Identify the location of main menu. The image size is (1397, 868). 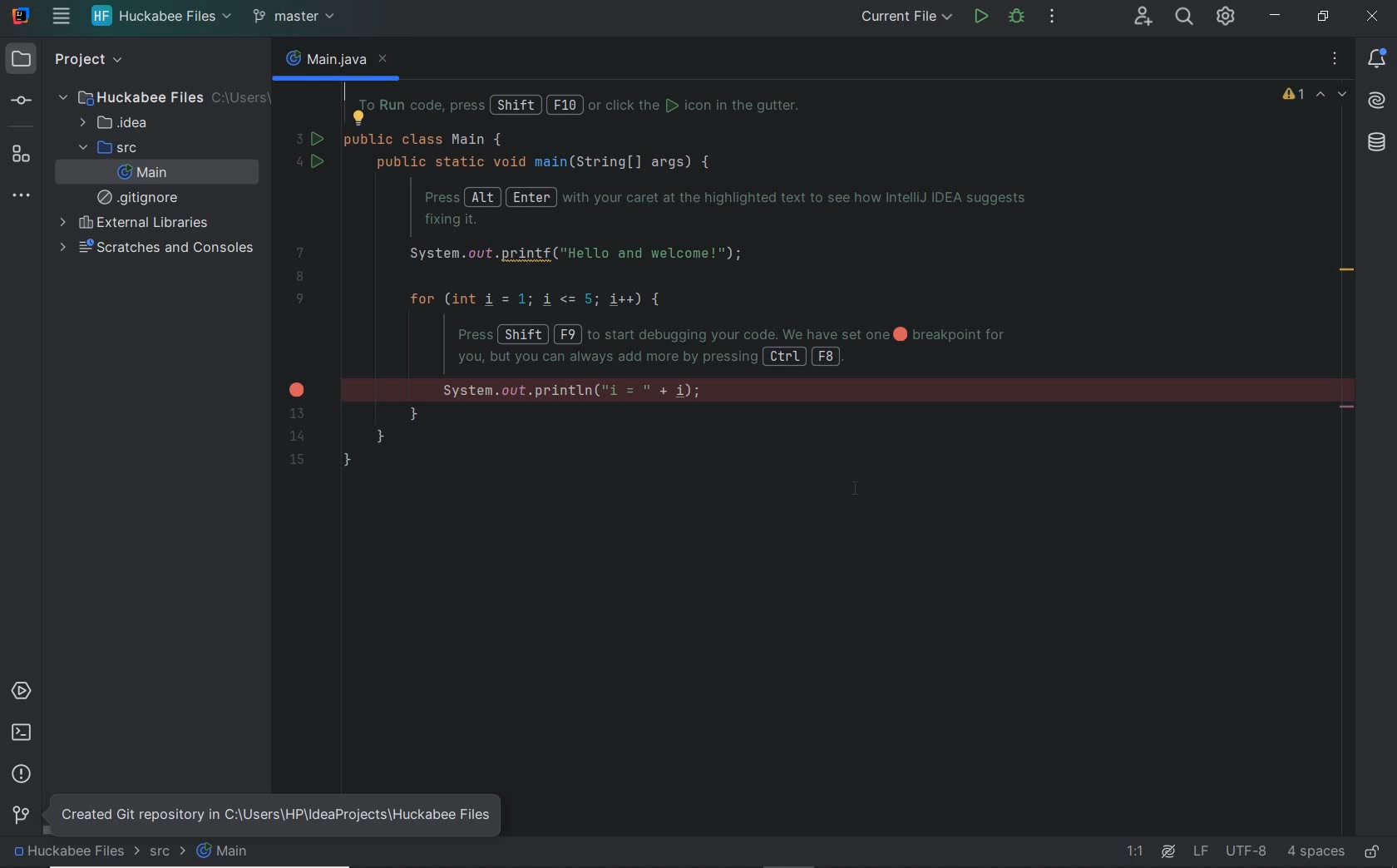
(54, 17).